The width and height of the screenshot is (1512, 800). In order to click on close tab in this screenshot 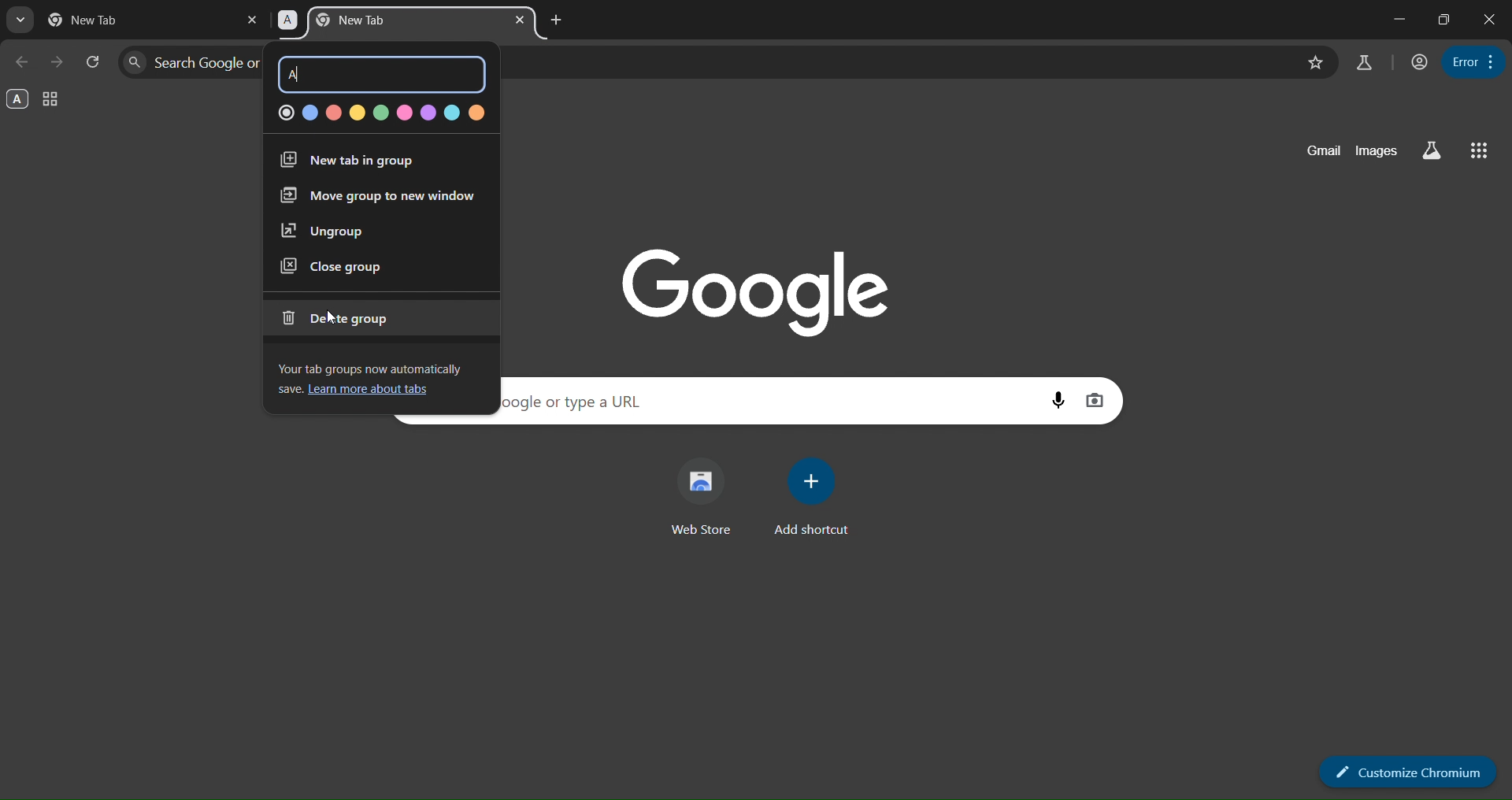, I will do `click(253, 19)`.